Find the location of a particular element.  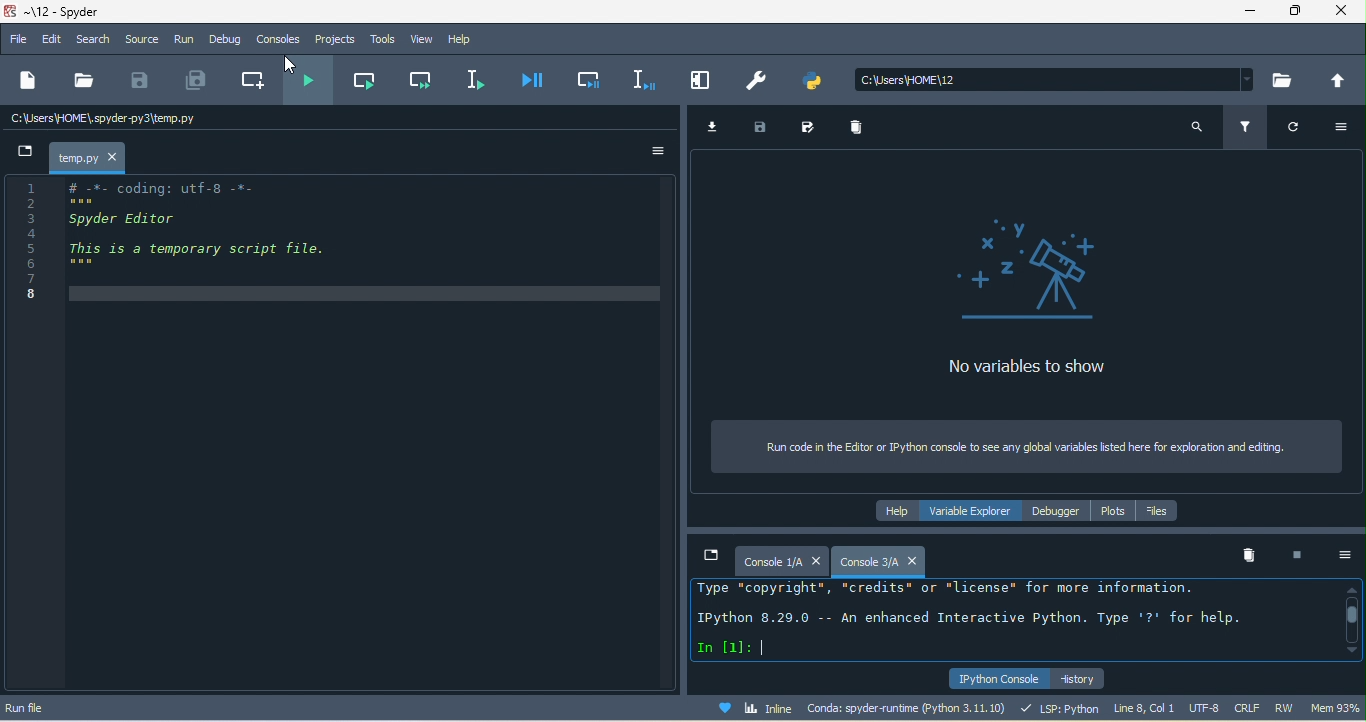

run file is located at coordinates (310, 85).